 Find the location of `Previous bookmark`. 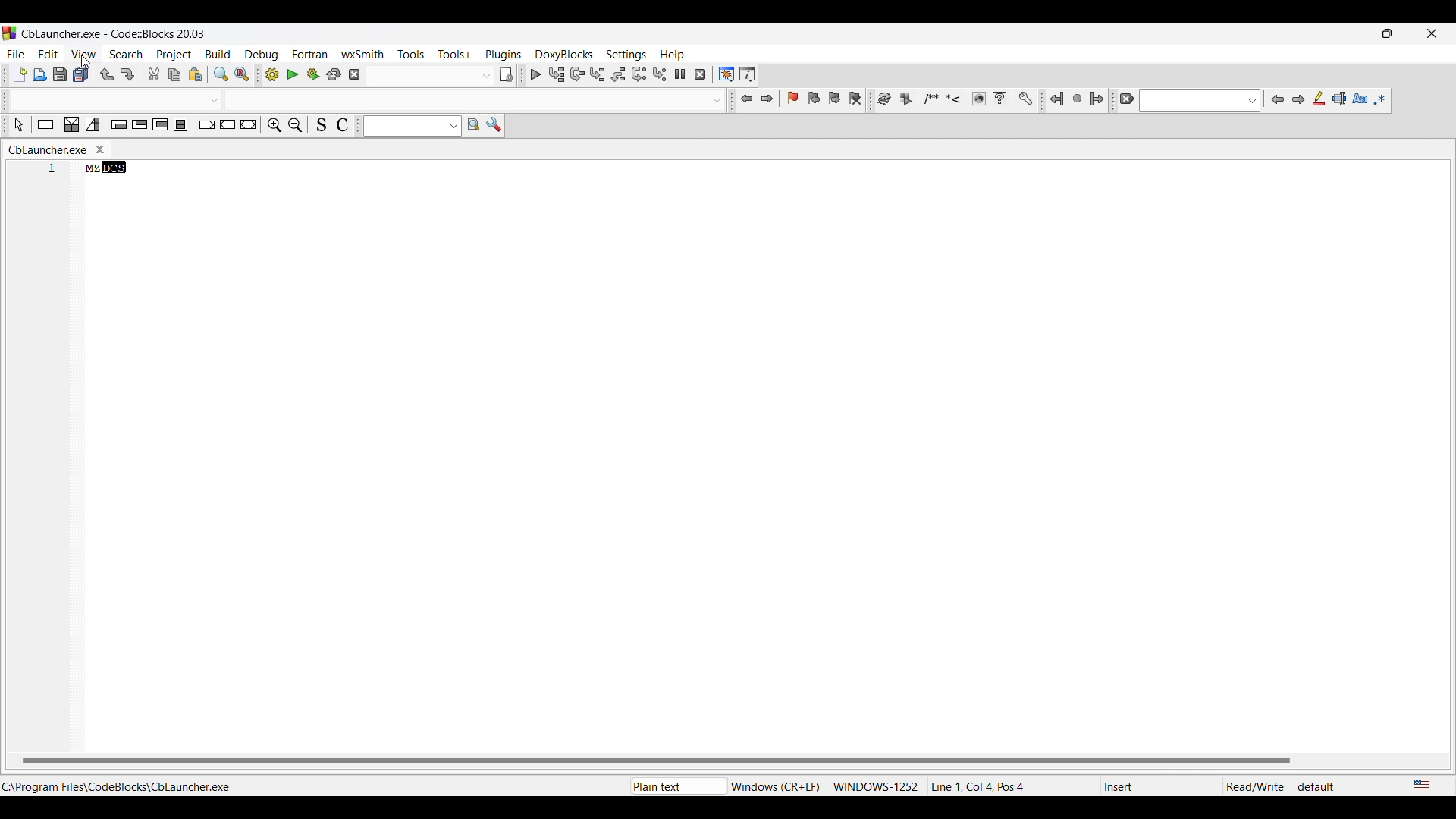

Previous bookmark is located at coordinates (814, 98).